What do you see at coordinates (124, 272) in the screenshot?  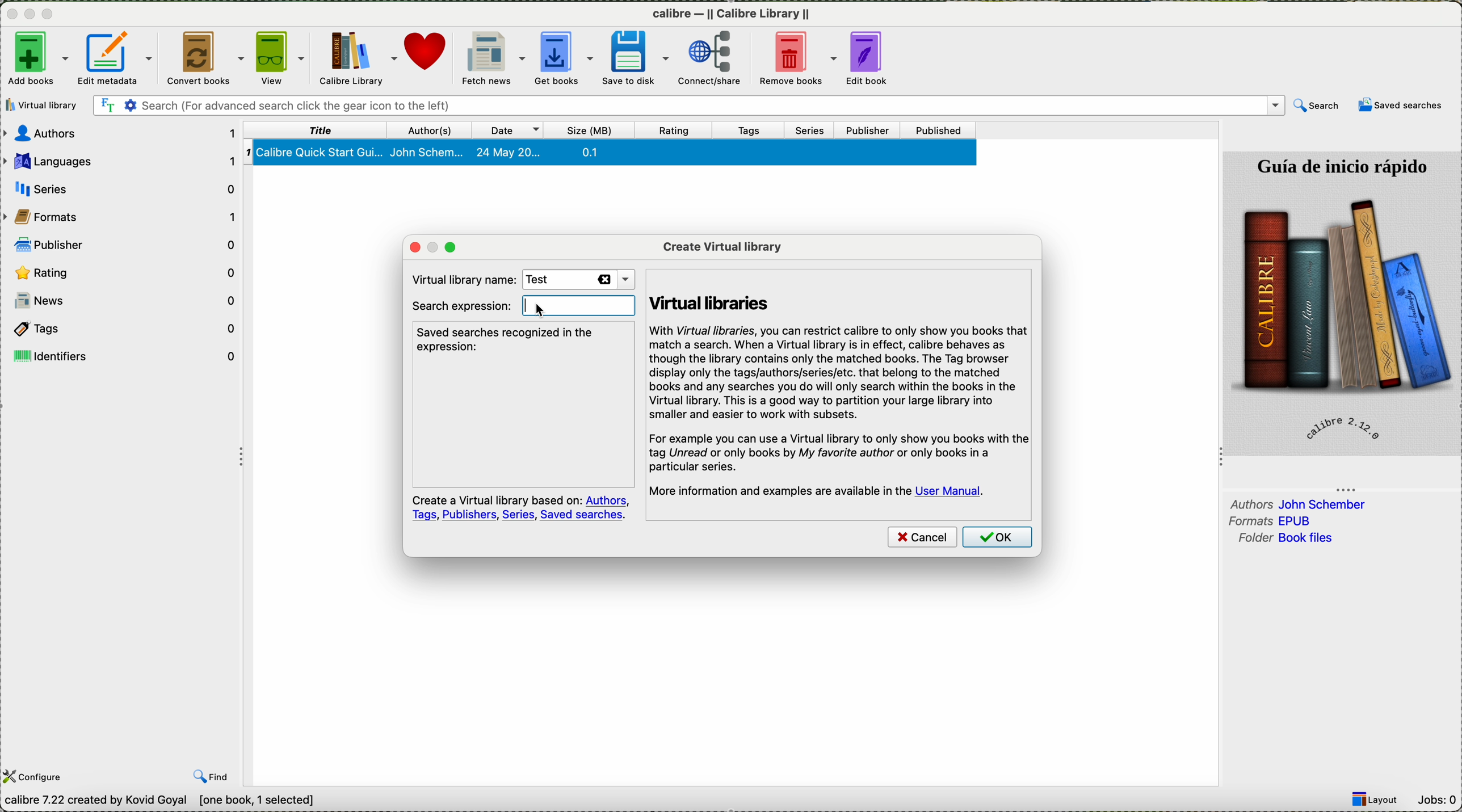 I see `rating` at bounding box center [124, 272].